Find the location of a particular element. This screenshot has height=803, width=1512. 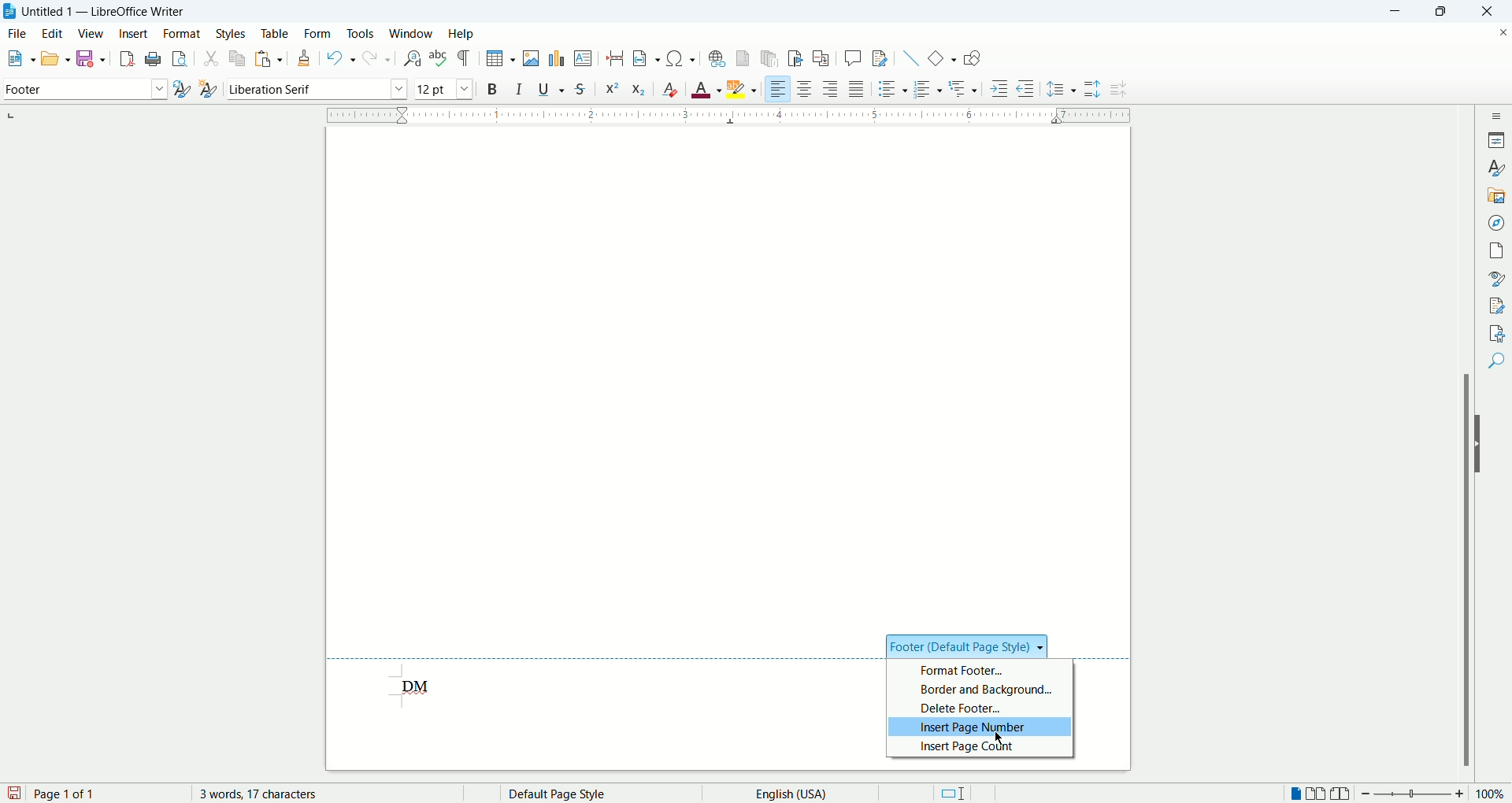

insert chart is located at coordinates (555, 57).